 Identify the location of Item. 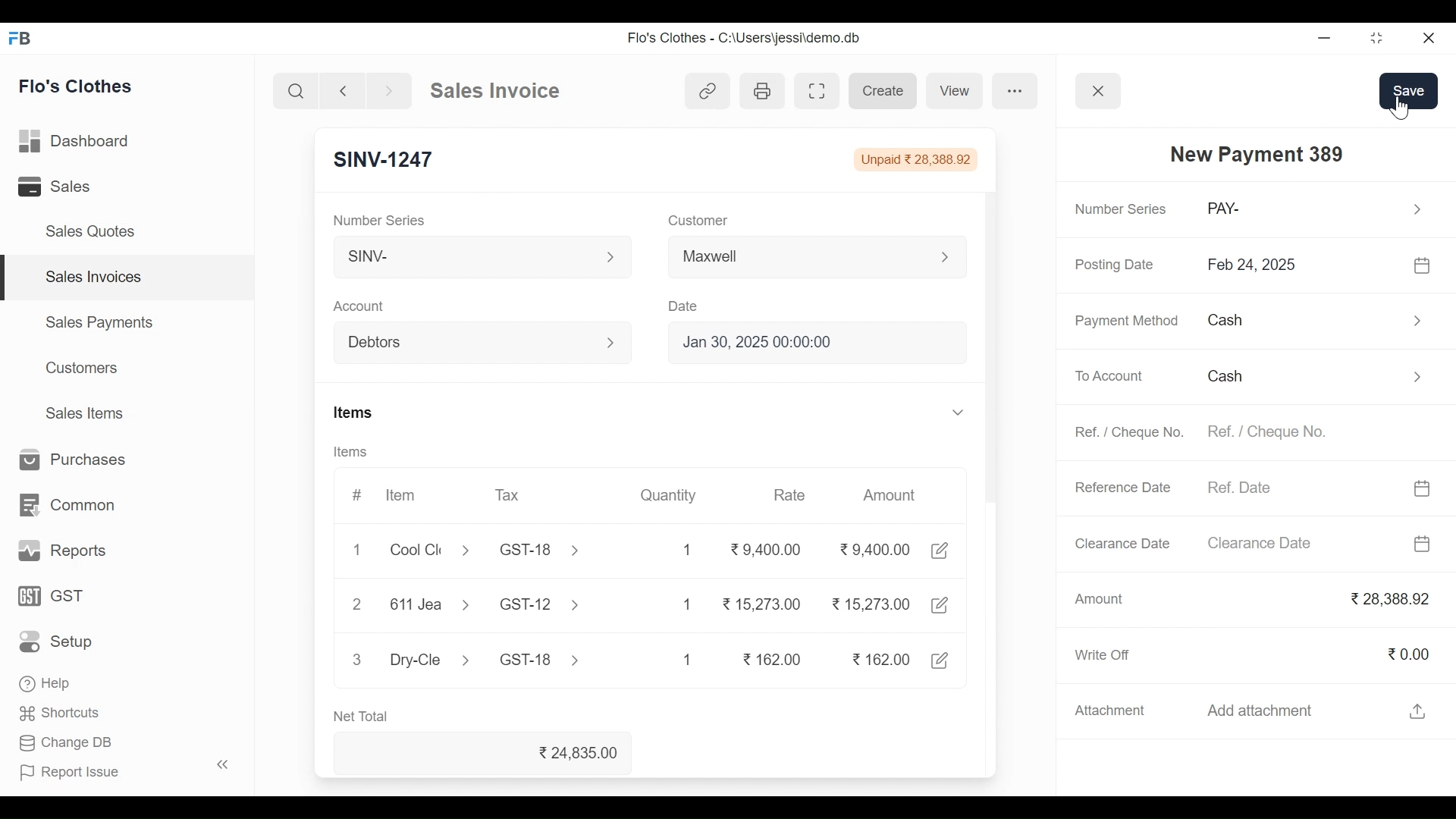
(406, 495).